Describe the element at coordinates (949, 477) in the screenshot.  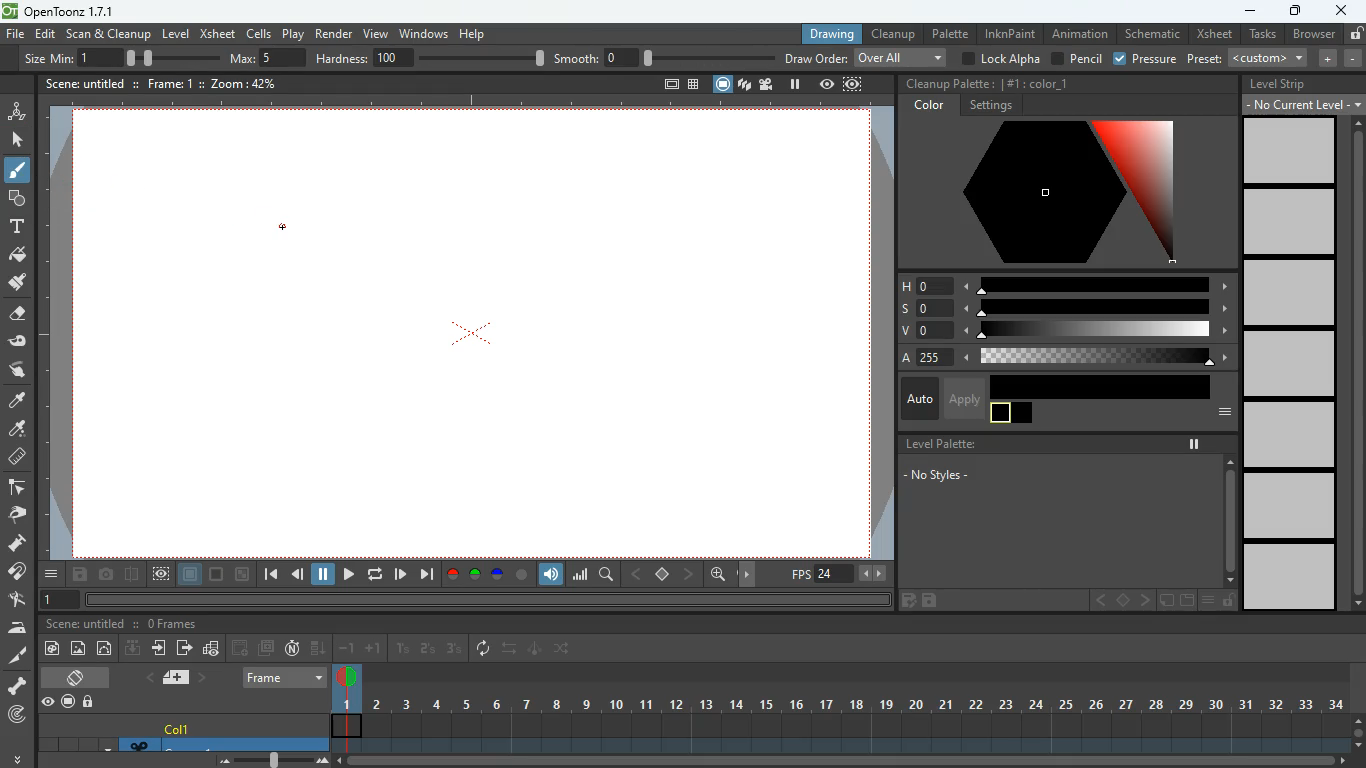
I see `no style` at that location.